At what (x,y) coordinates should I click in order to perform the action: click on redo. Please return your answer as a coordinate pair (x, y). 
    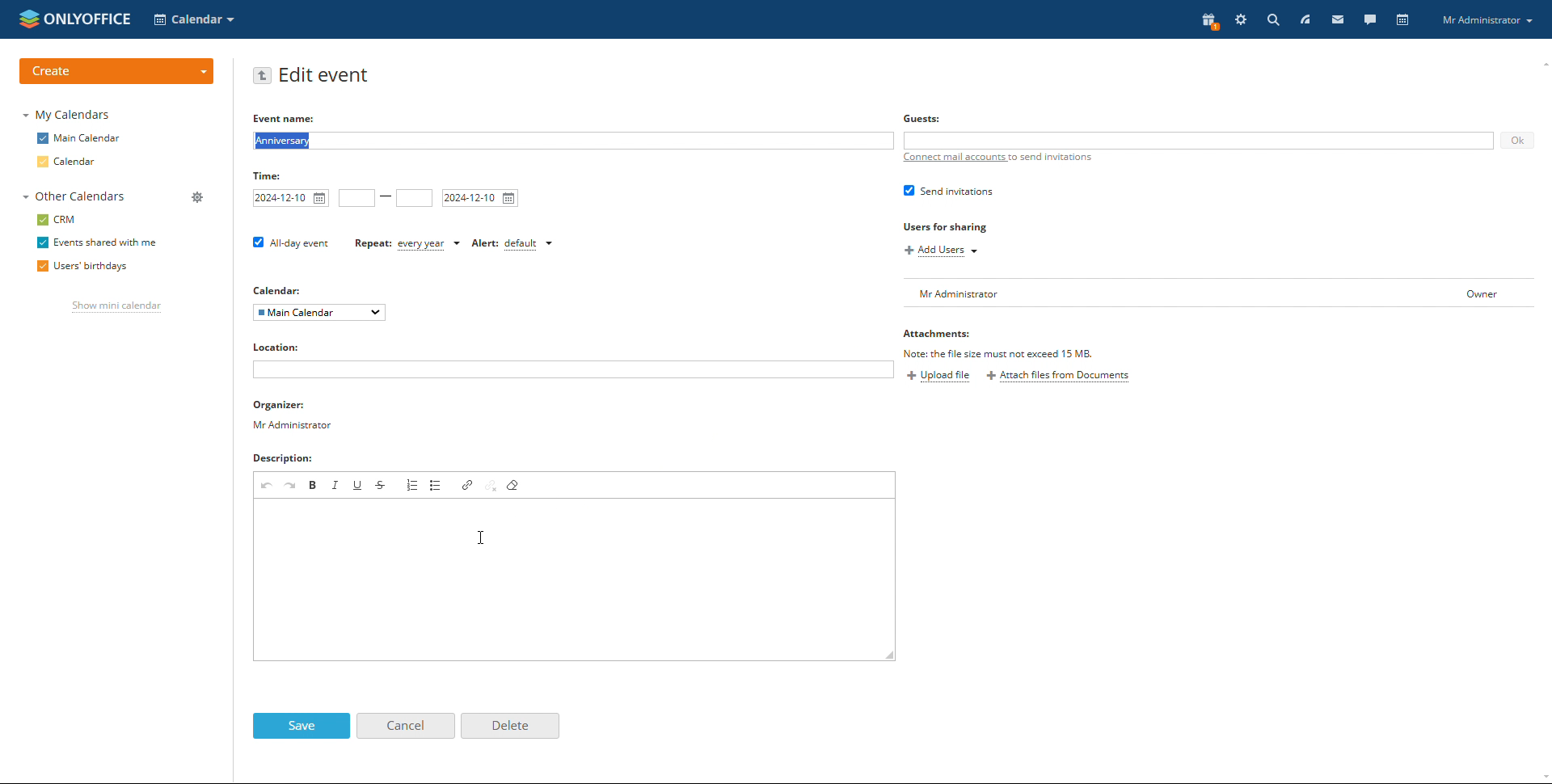
    Looking at the image, I should click on (290, 484).